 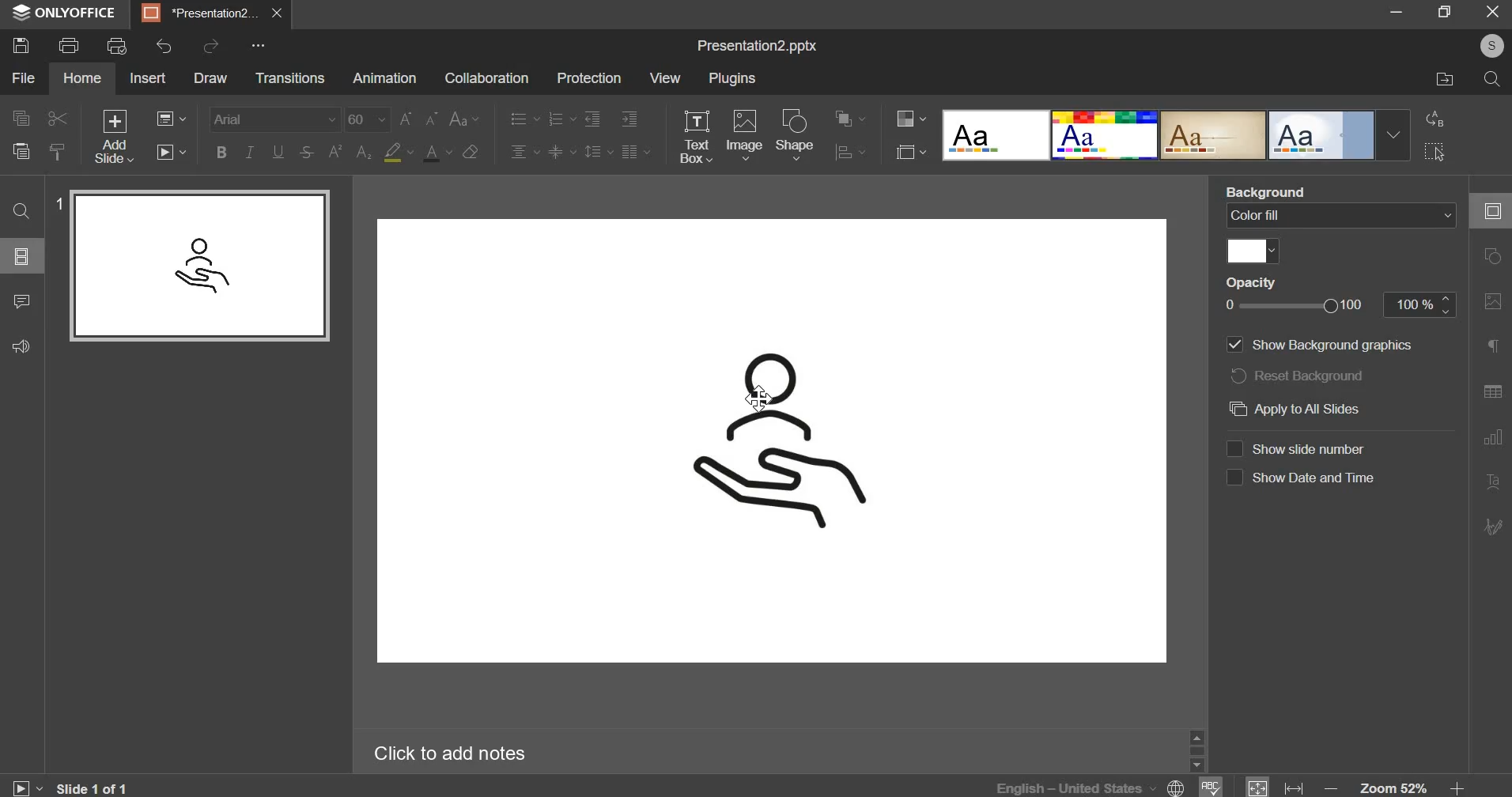 I want to click on slide, so click(x=770, y=440).